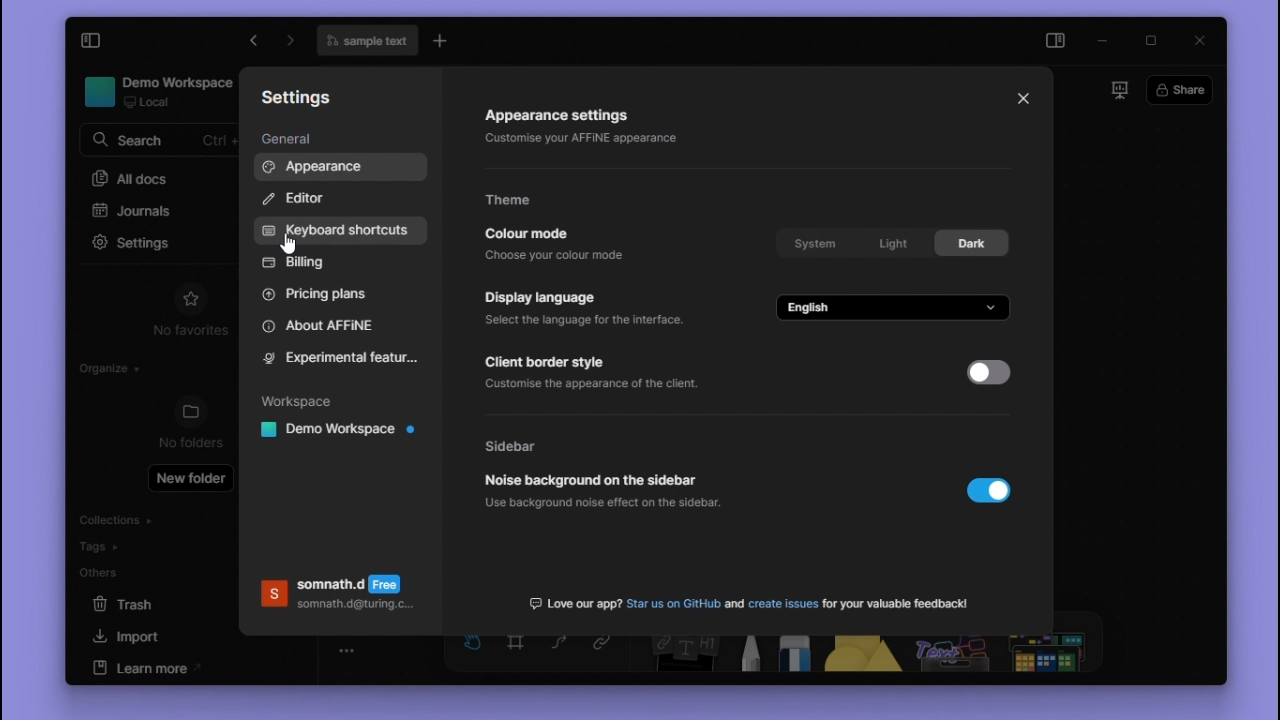 The height and width of the screenshot is (720, 1280). What do you see at coordinates (581, 130) in the screenshot?
I see `Appearance settings` at bounding box center [581, 130].